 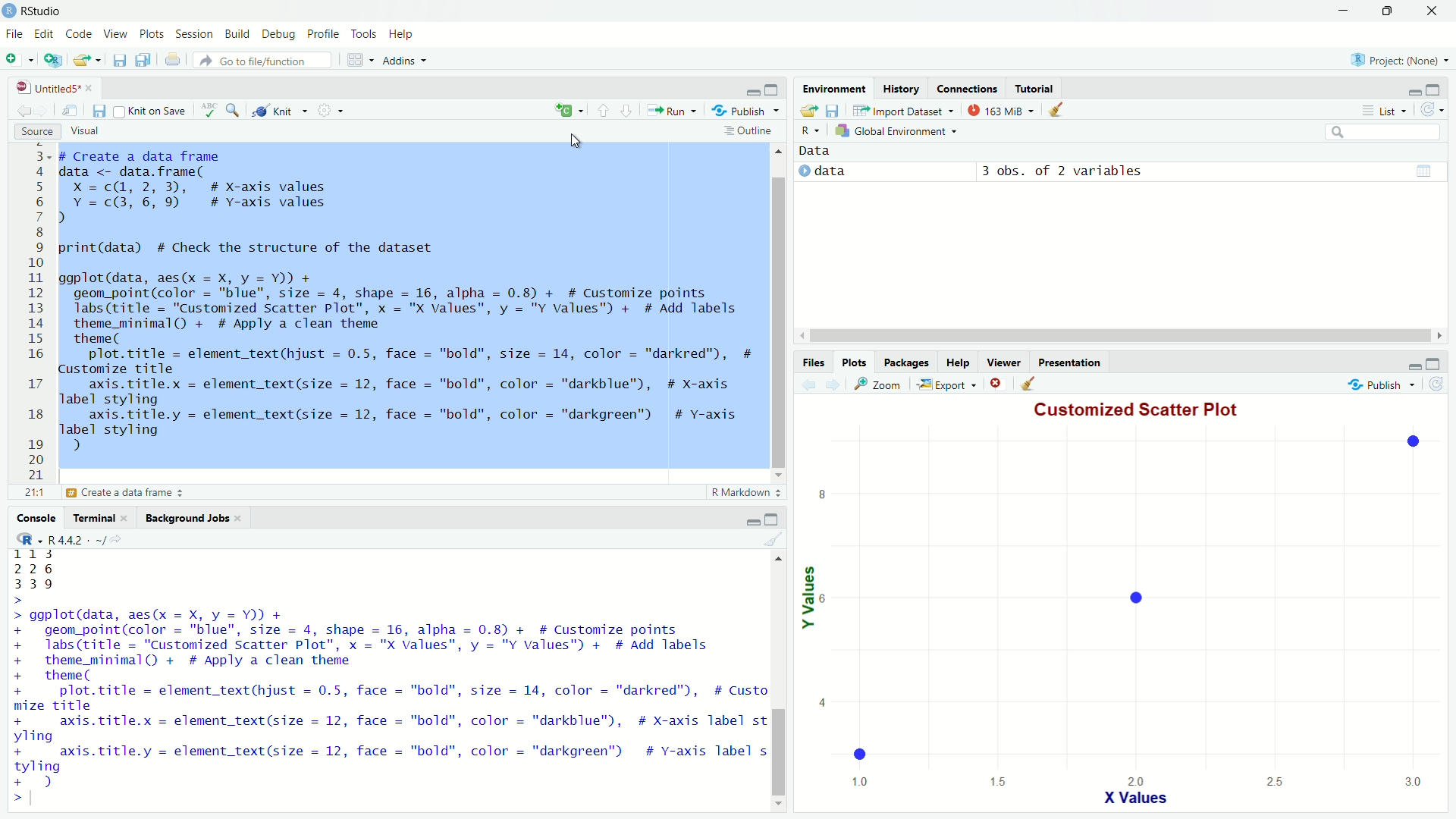 I want to click on Publish, so click(x=1382, y=388).